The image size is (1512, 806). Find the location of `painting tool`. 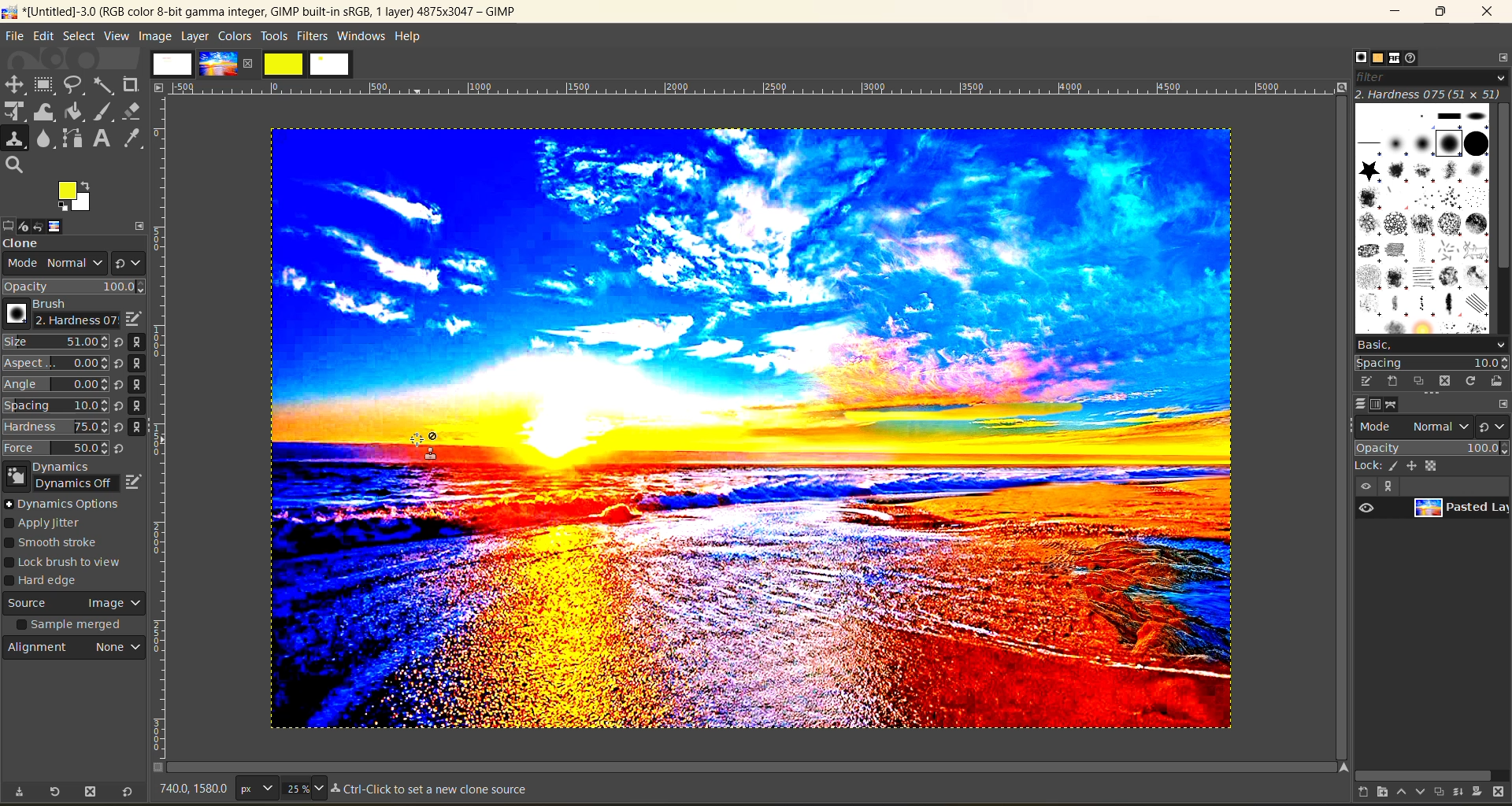

painting tool is located at coordinates (1395, 466).